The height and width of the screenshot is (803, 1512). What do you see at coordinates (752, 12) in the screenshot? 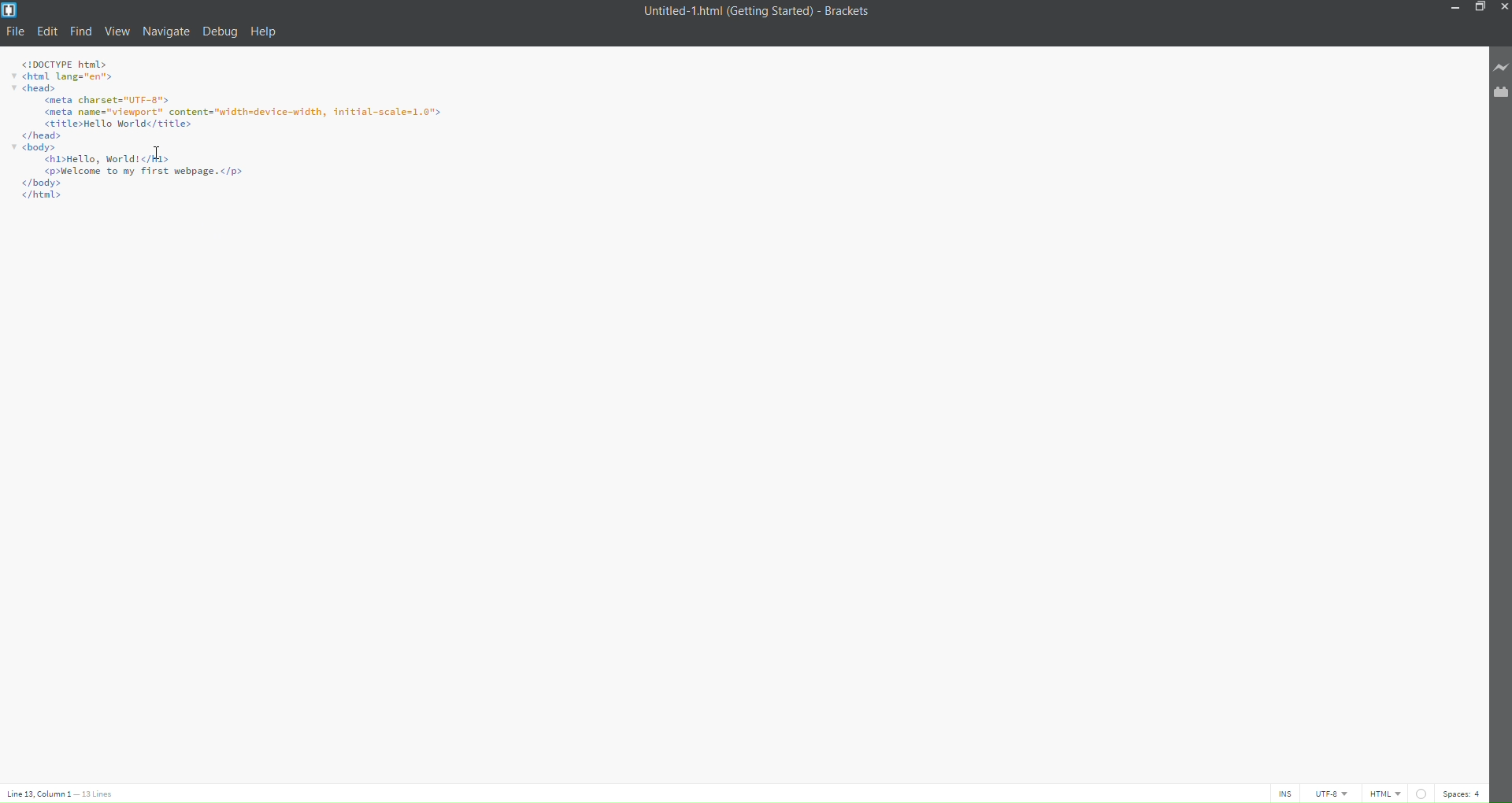
I see `title` at bounding box center [752, 12].